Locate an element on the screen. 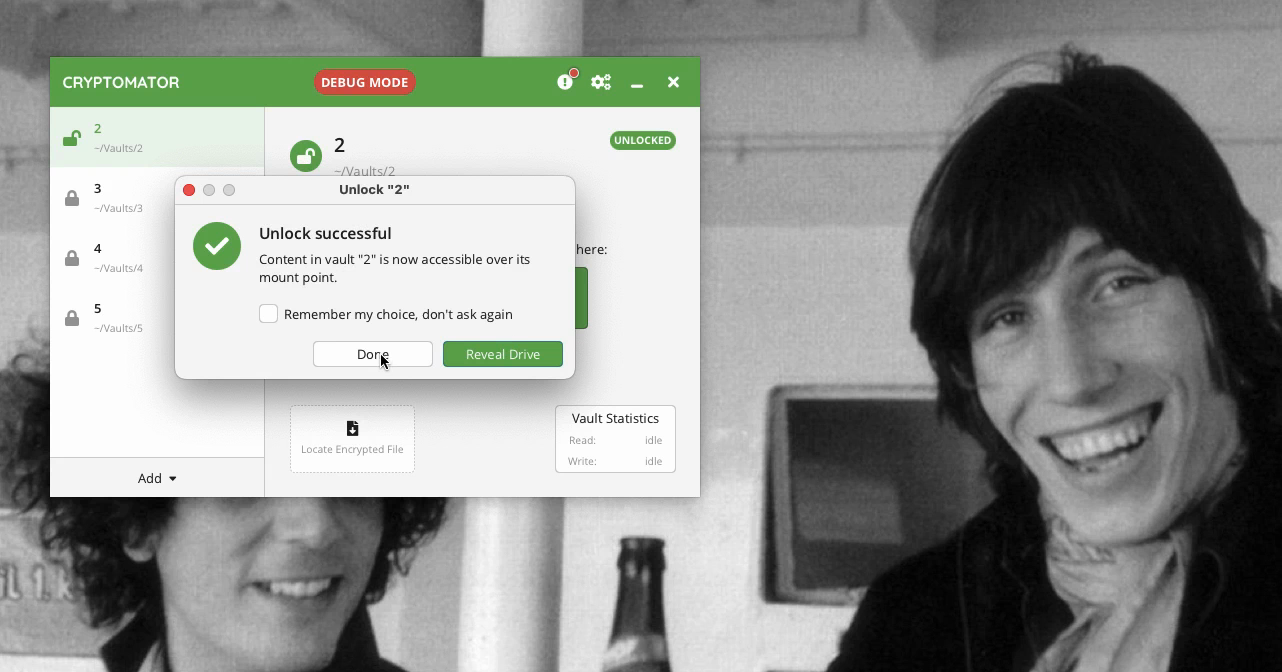 The width and height of the screenshot is (1282, 672). Add menu is located at coordinates (161, 479).